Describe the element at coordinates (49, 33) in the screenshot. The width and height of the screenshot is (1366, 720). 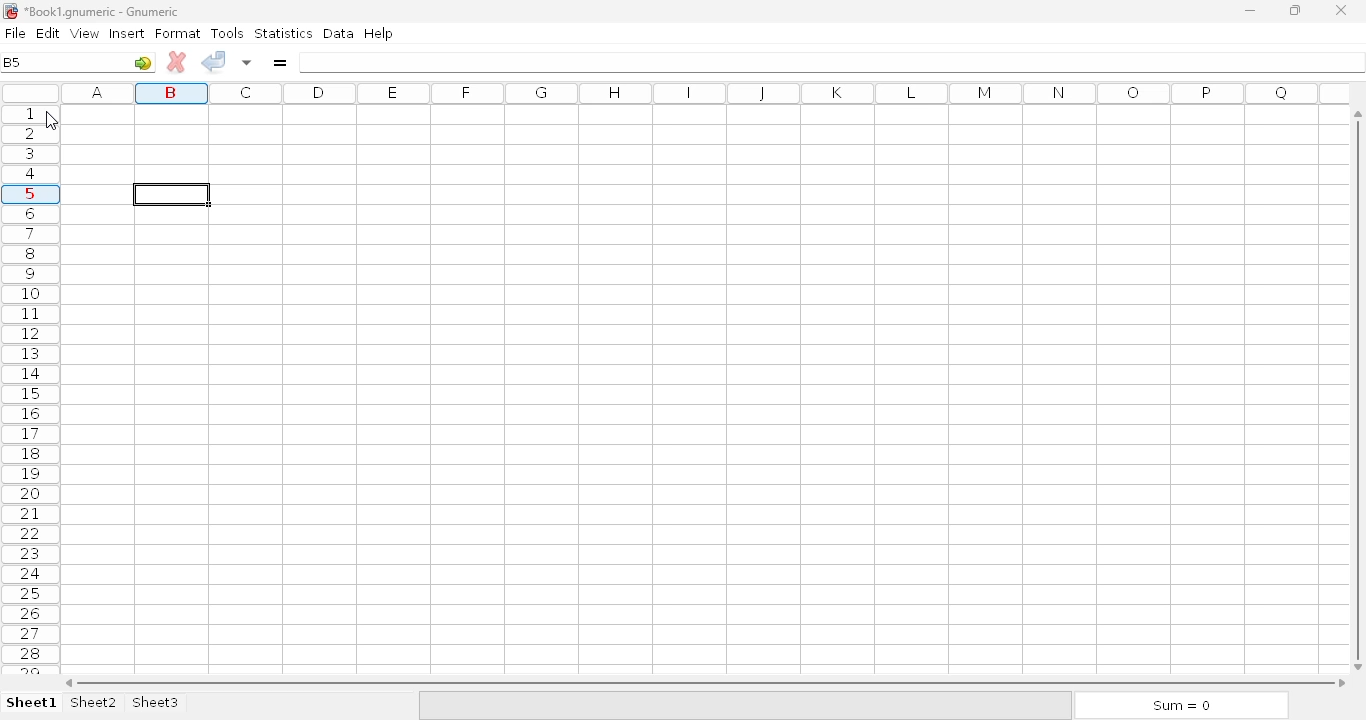
I see `edit` at that location.